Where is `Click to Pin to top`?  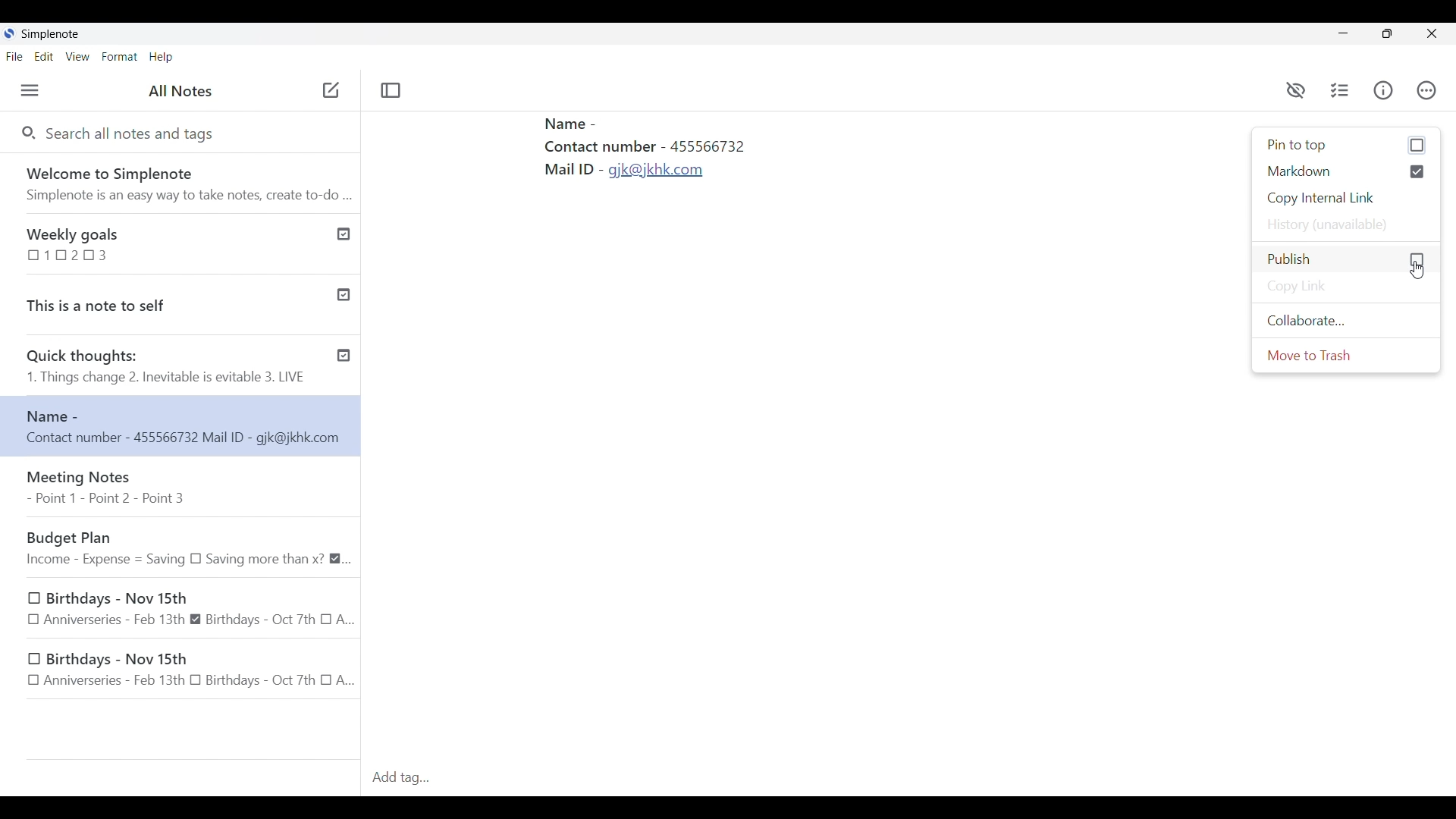 Click to Pin to top is located at coordinates (1347, 146).